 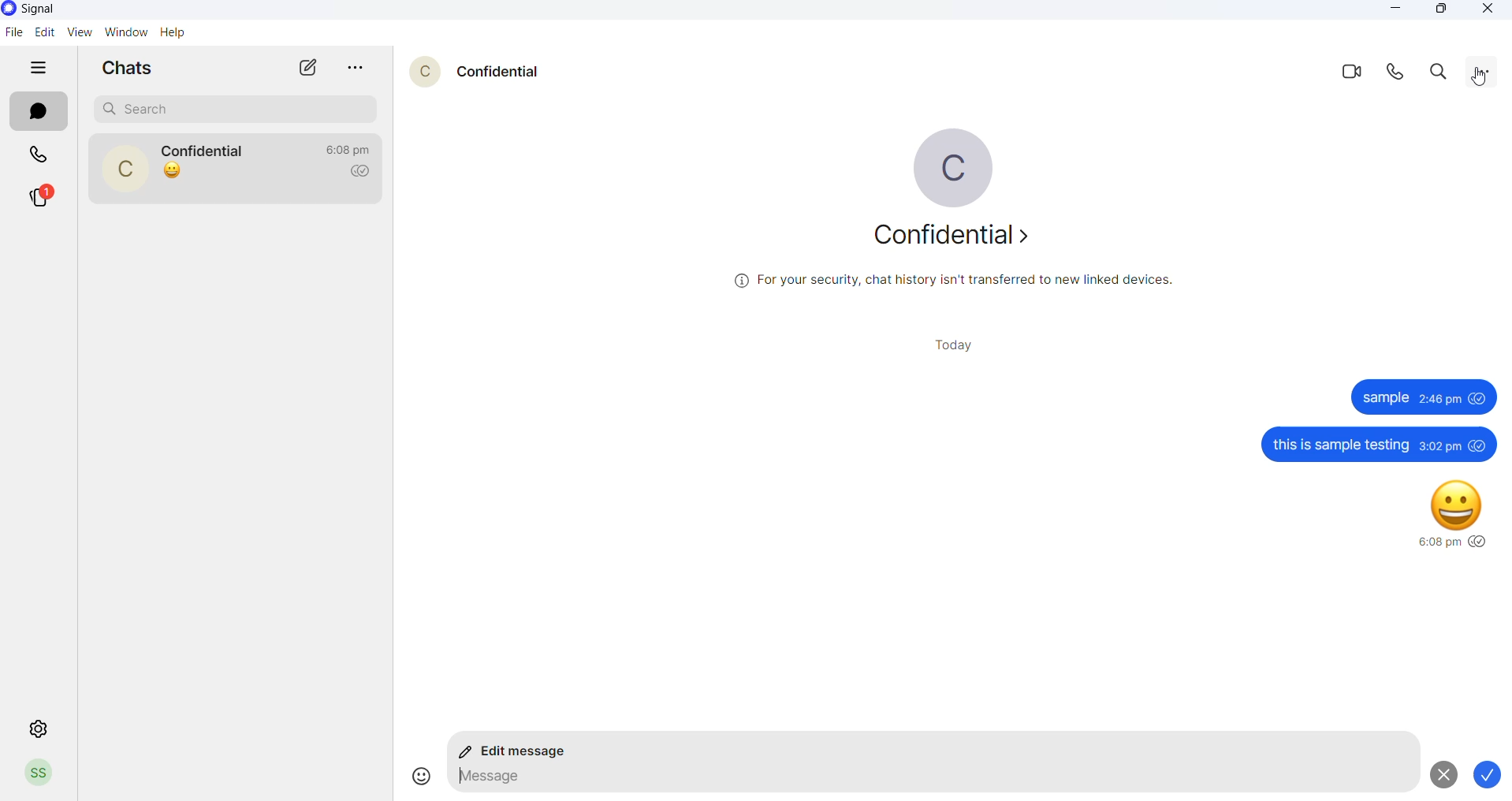 I want to click on security related information, so click(x=957, y=281).